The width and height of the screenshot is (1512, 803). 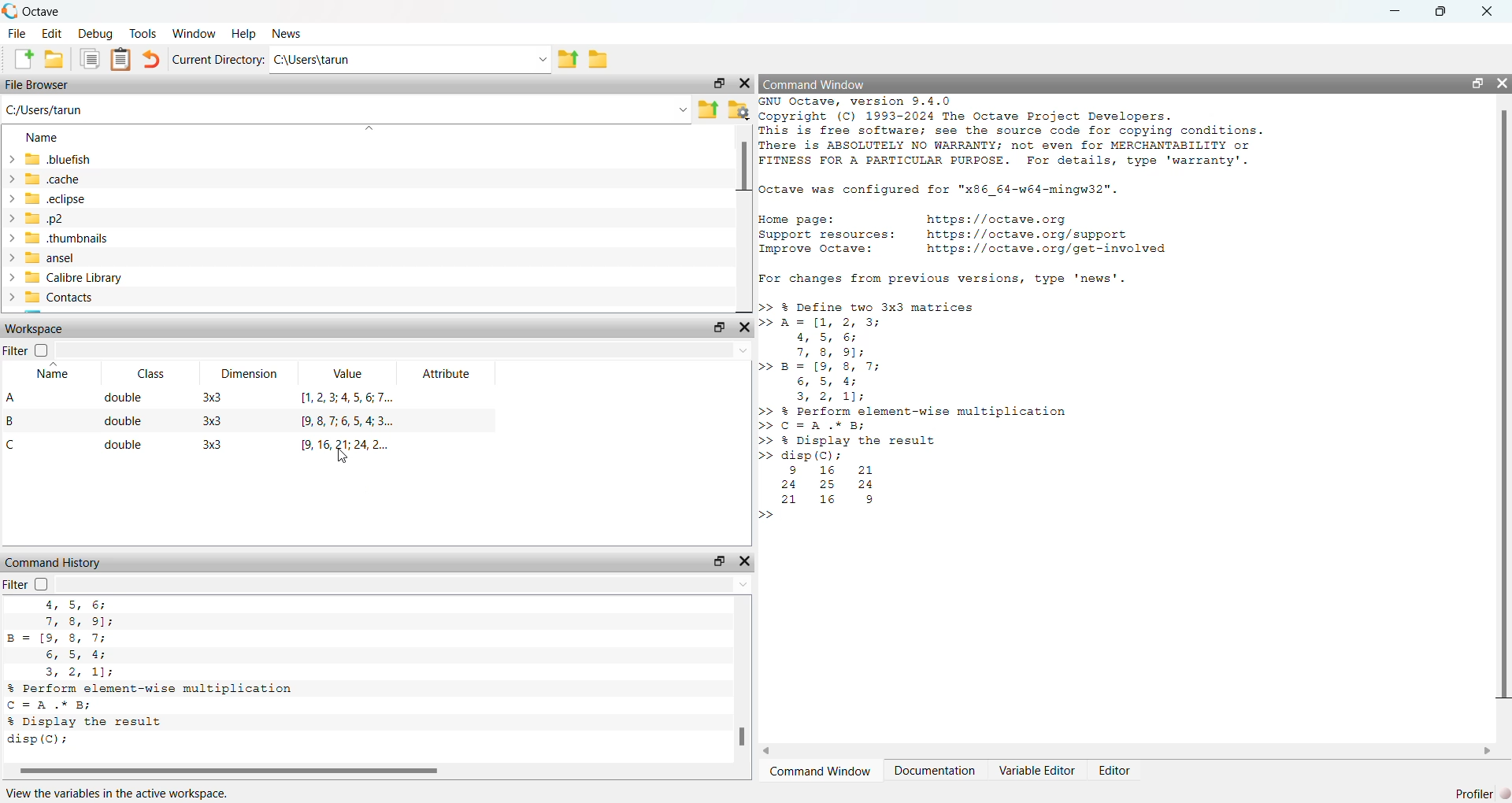 What do you see at coordinates (343, 457) in the screenshot?
I see `Cursor` at bounding box center [343, 457].